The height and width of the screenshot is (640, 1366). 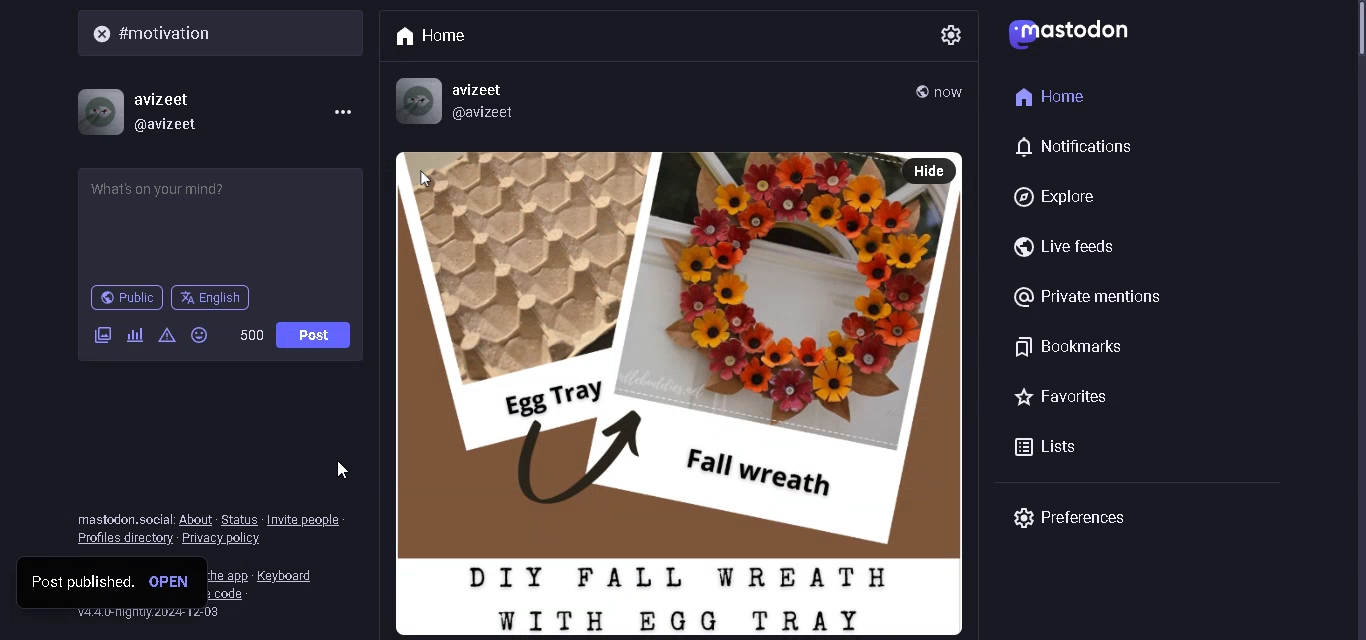 I want to click on search bar, so click(x=226, y=34).